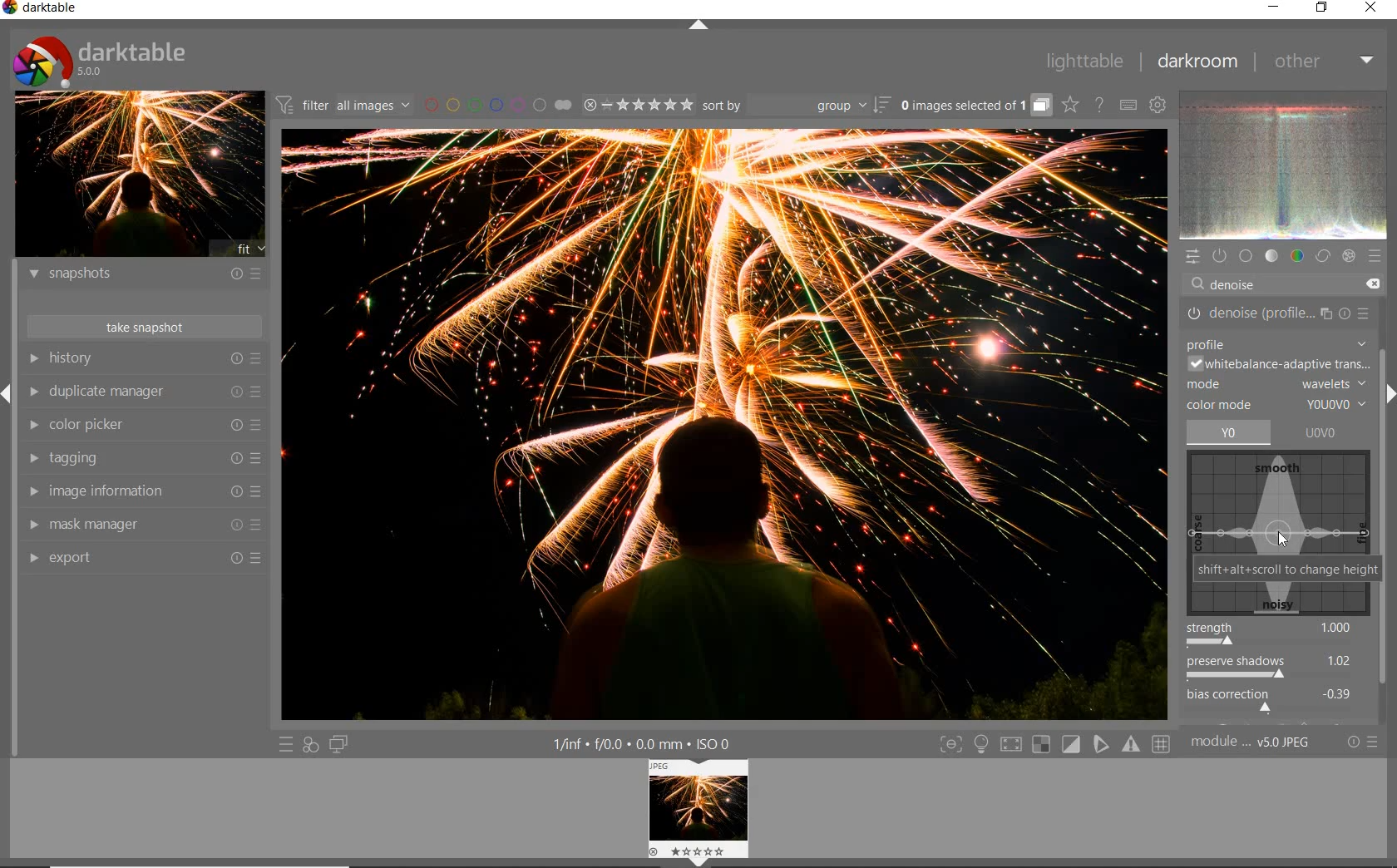 The width and height of the screenshot is (1397, 868). What do you see at coordinates (1273, 257) in the screenshot?
I see `tone` at bounding box center [1273, 257].